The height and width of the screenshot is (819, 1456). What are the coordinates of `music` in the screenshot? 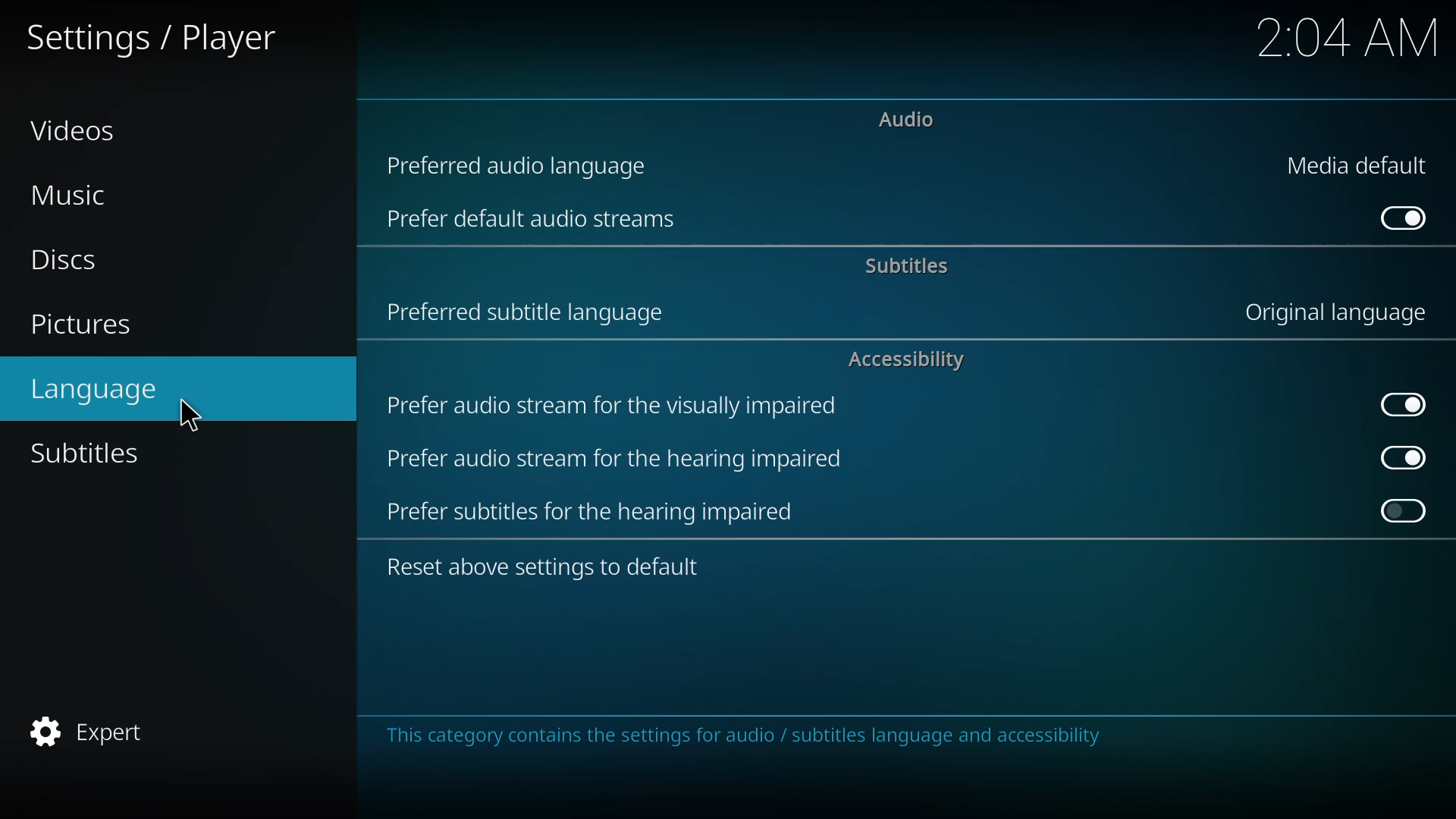 It's located at (73, 194).